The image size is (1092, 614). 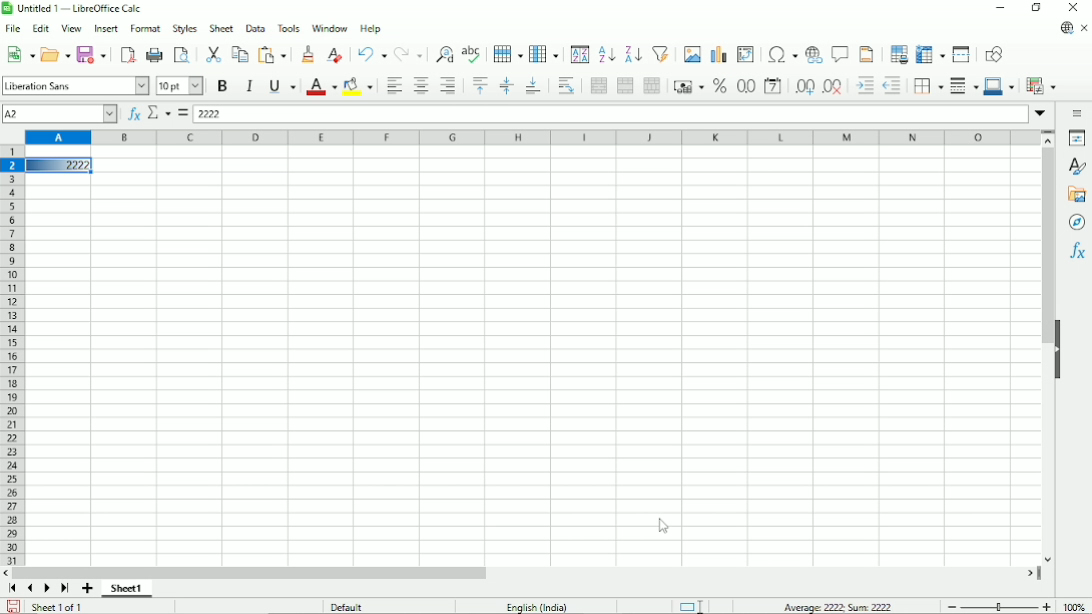 What do you see at coordinates (1065, 29) in the screenshot?
I see `Update available` at bounding box center [1065, 29].